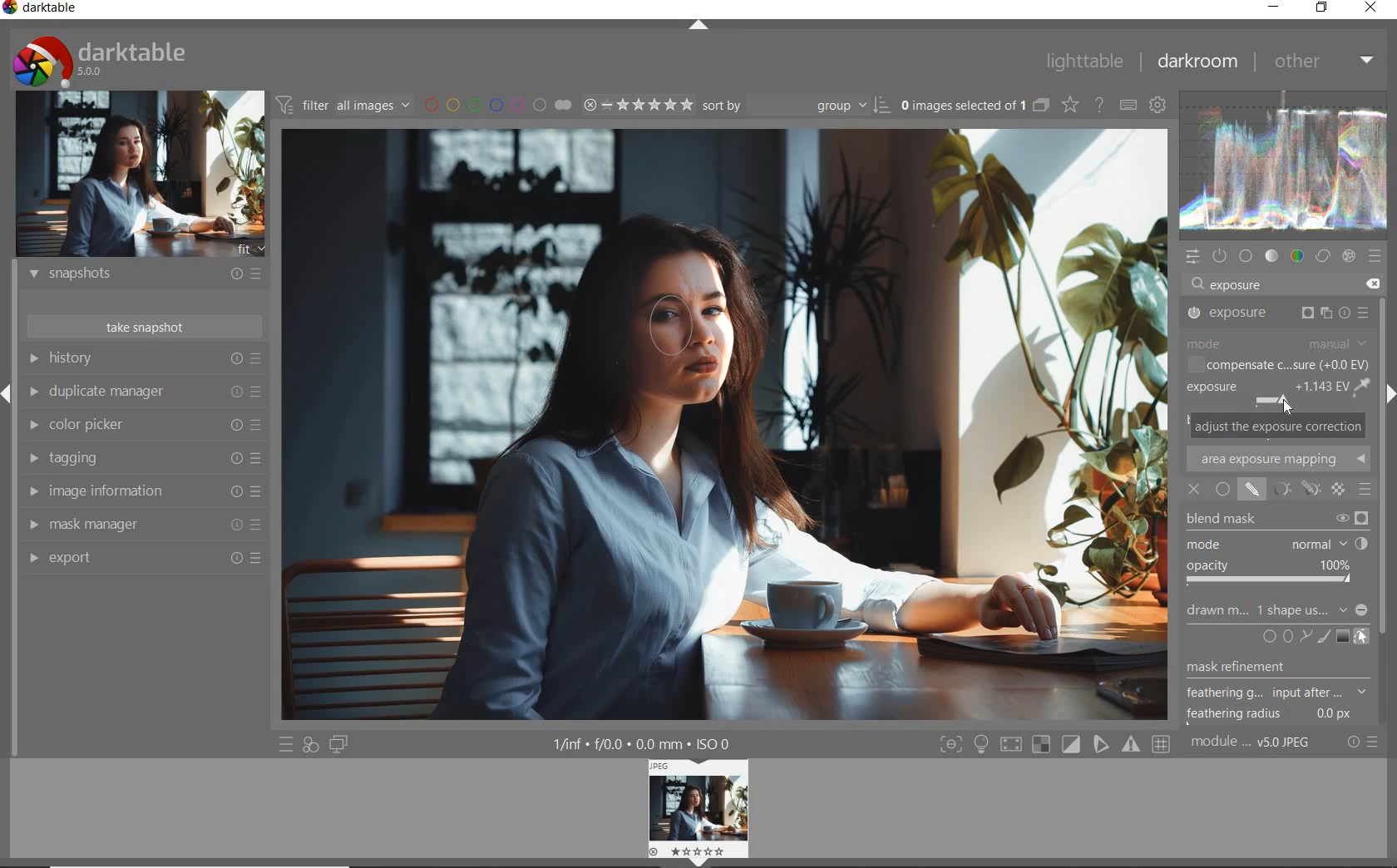 Image resolution: width=1397 pixels, height=868 pixels. I want to click on MASK OPTIONS, so click(1291, 489).